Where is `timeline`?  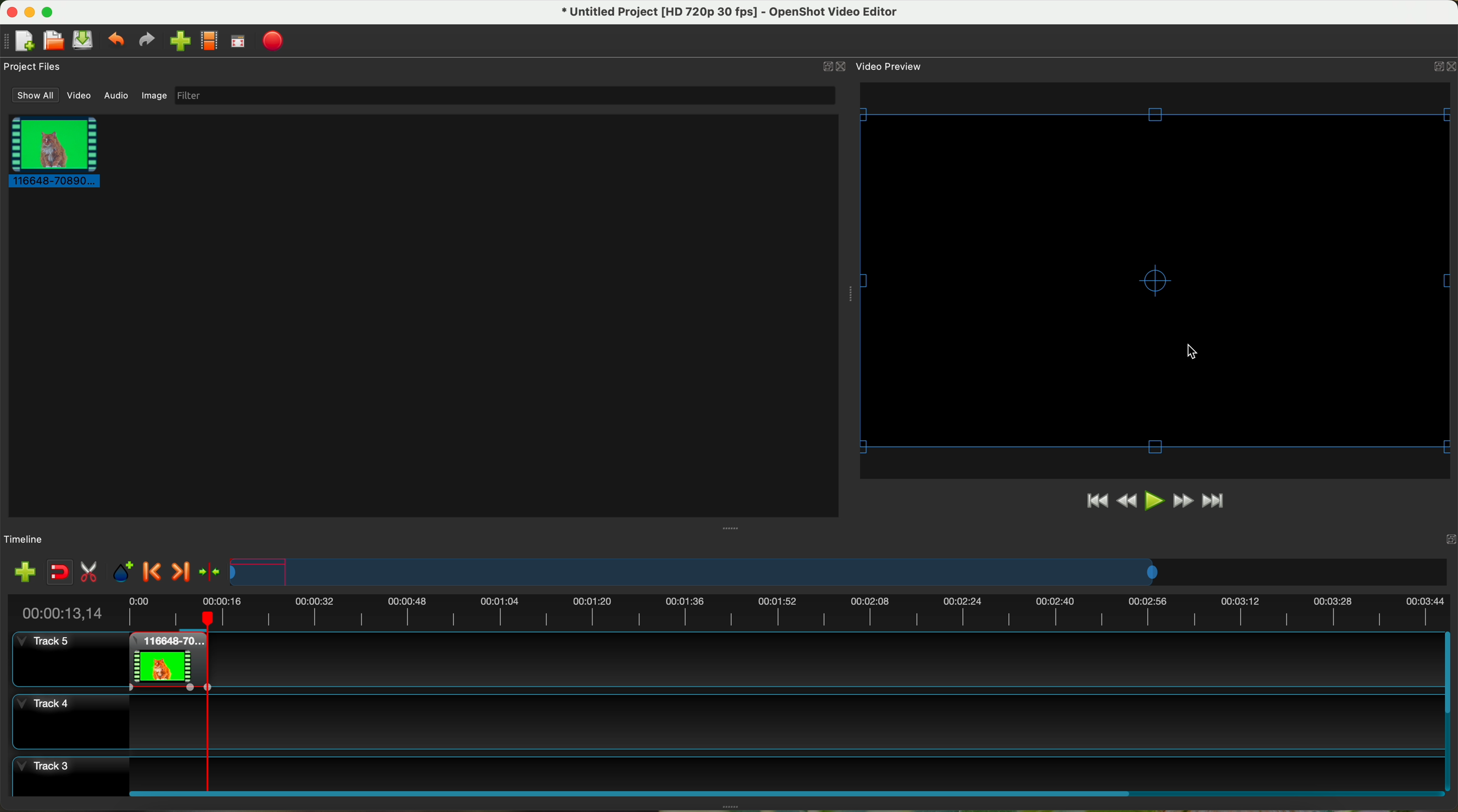
timeline is located at coordinates (727, 611).